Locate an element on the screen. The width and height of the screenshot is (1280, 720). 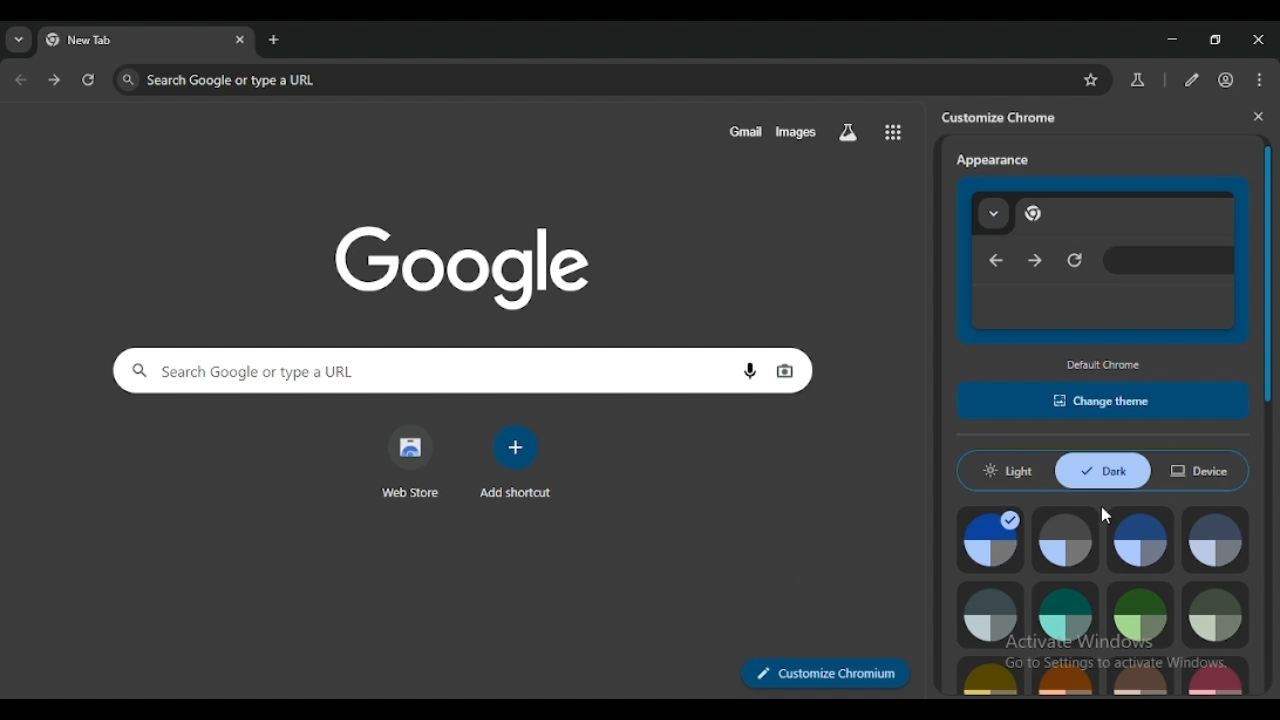
images is located at coordinates (794, 132).